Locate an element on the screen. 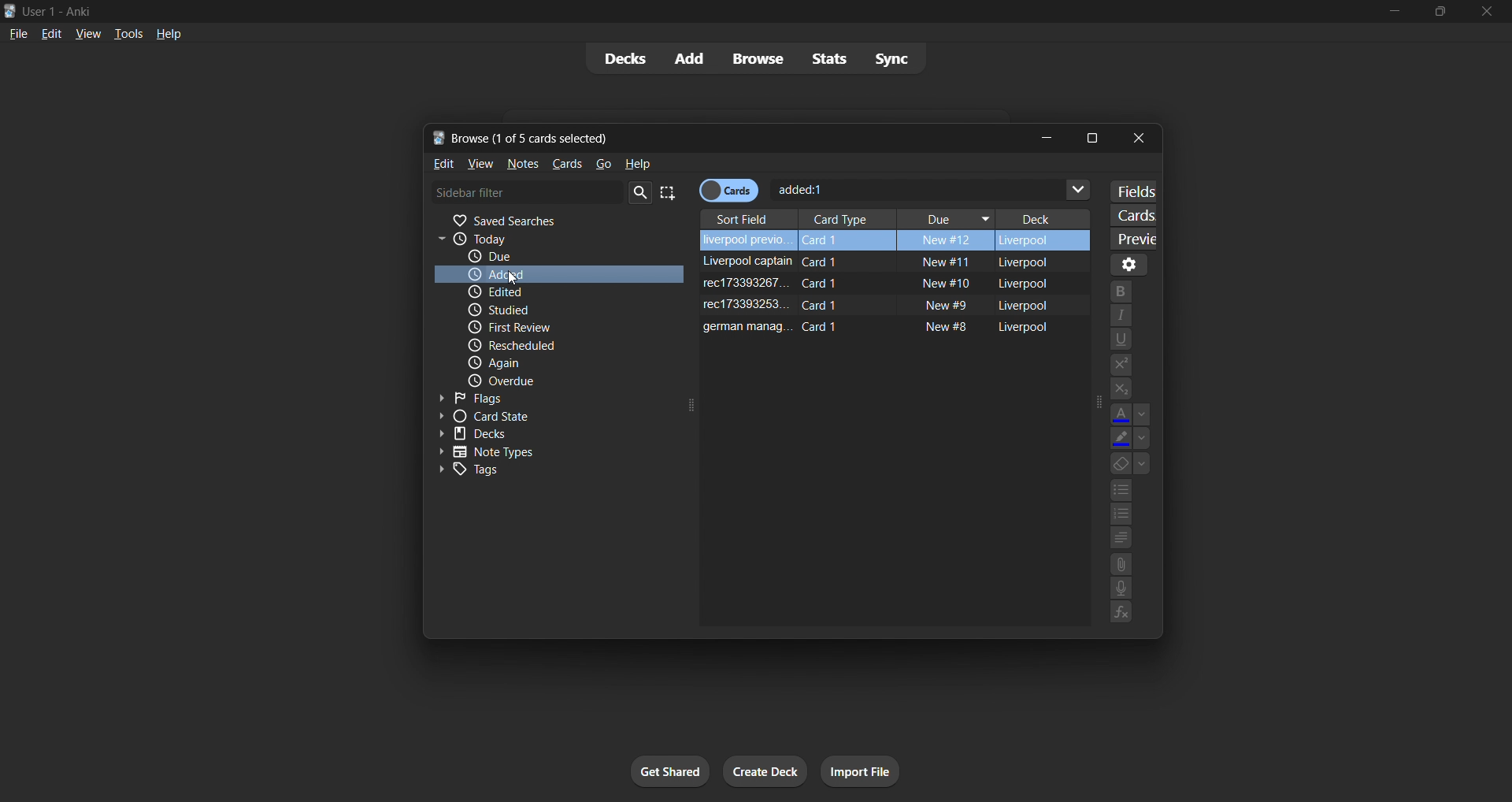  import file is located at coordinates (857, 774).